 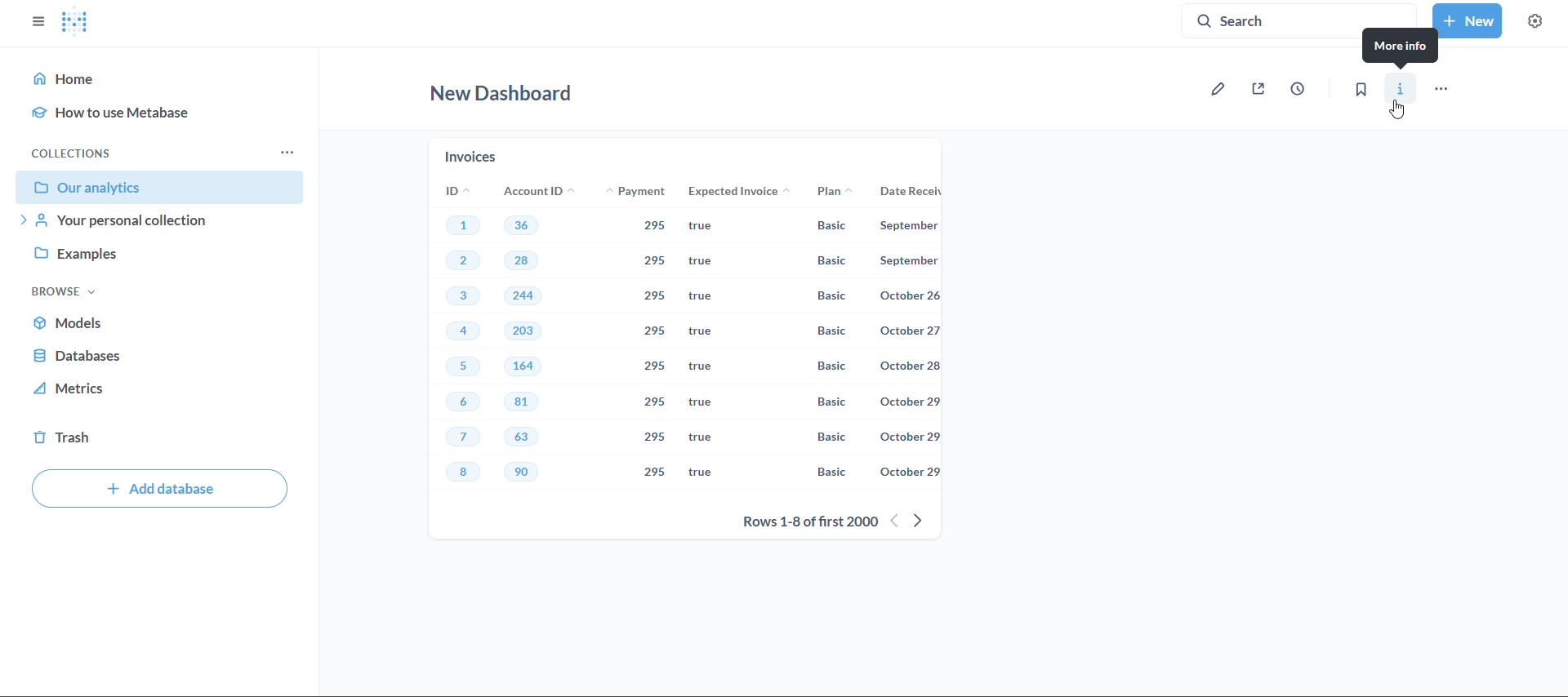 What do you see at coordinates (832, 438) in the screenshot?
I see `Basic` at bounding box center [832, 438].